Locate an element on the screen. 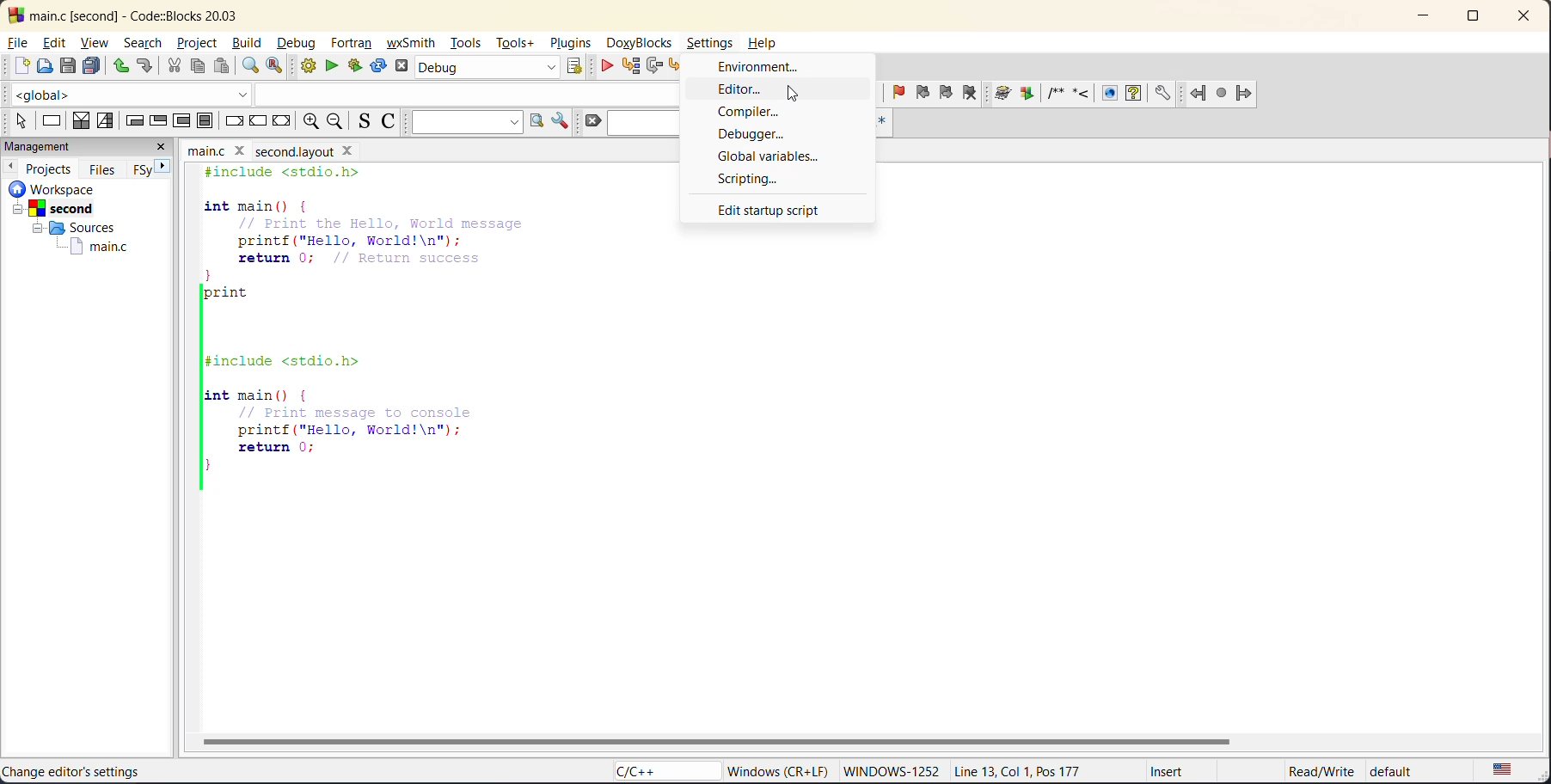 Image resolution: width=1551 pixels, height=784 pixels. Settings is located at coordinates (712, 40).